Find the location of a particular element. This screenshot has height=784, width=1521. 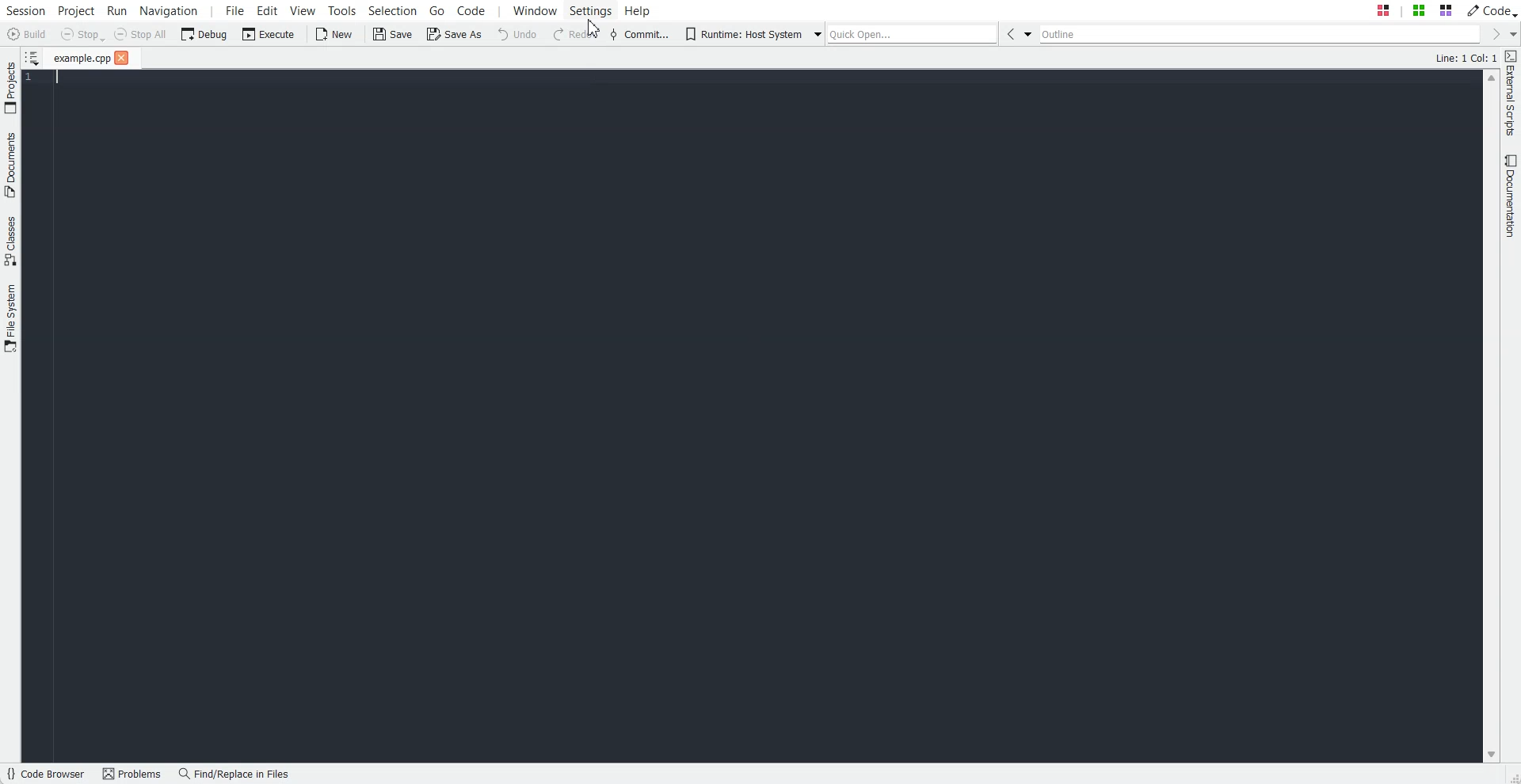

Scroll down is located at coordinates (1491, 755).